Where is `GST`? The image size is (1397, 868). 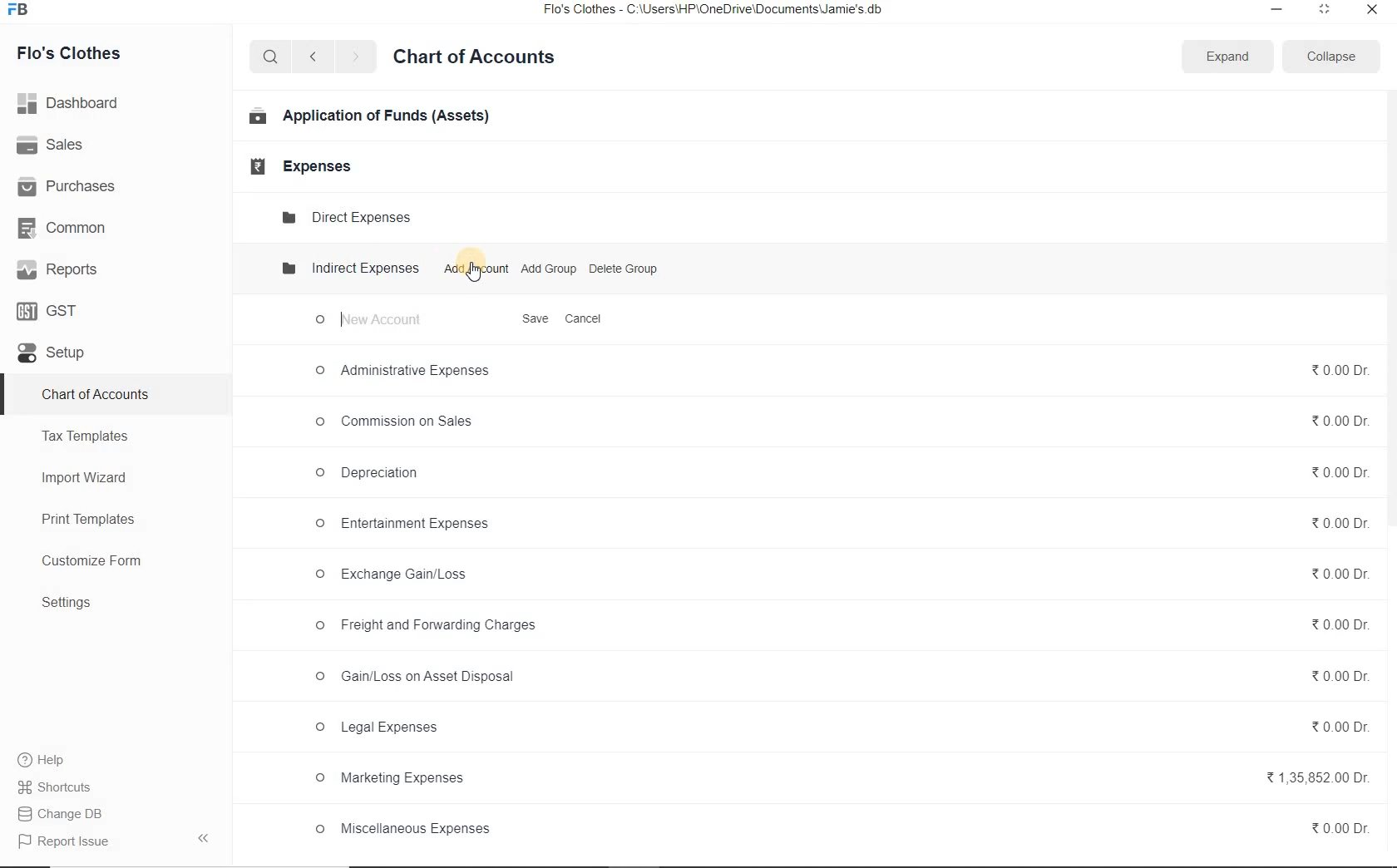
GST is located at coordinates (49, 310).